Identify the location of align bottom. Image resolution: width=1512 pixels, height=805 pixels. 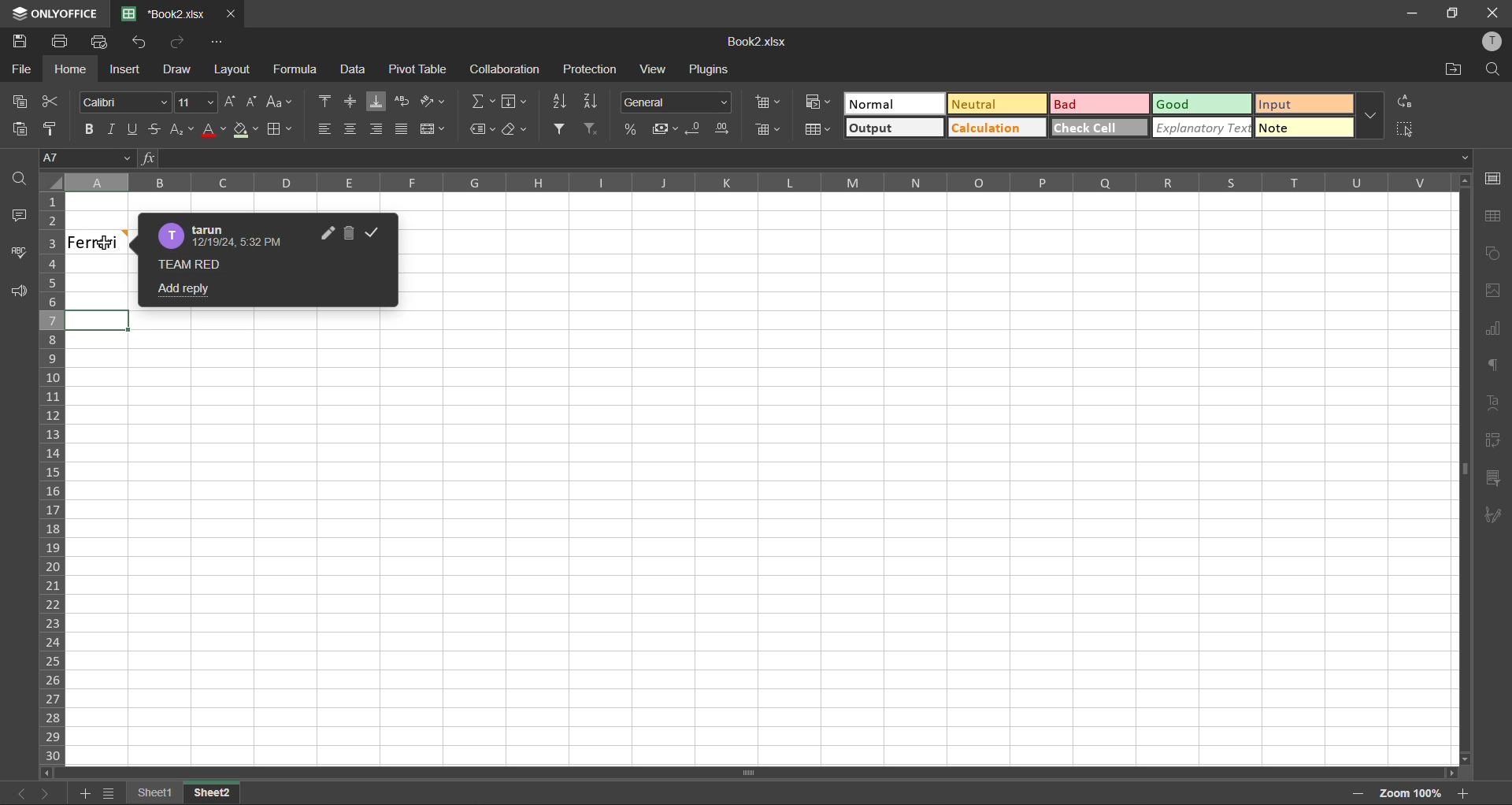
(378, 103).